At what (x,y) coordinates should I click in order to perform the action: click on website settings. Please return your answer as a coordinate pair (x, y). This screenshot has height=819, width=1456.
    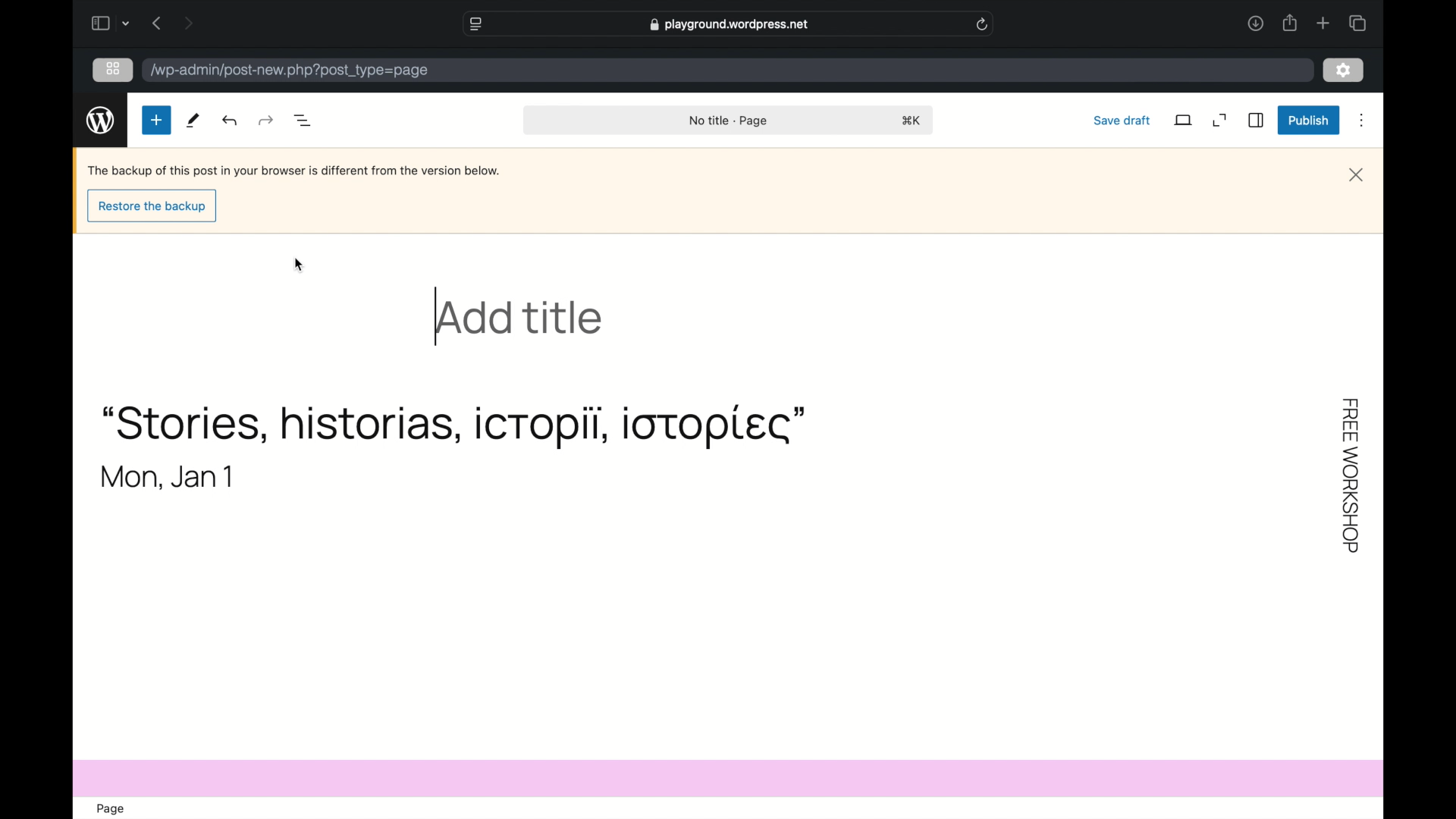
    Looking at the image, I should click on (476, 24).